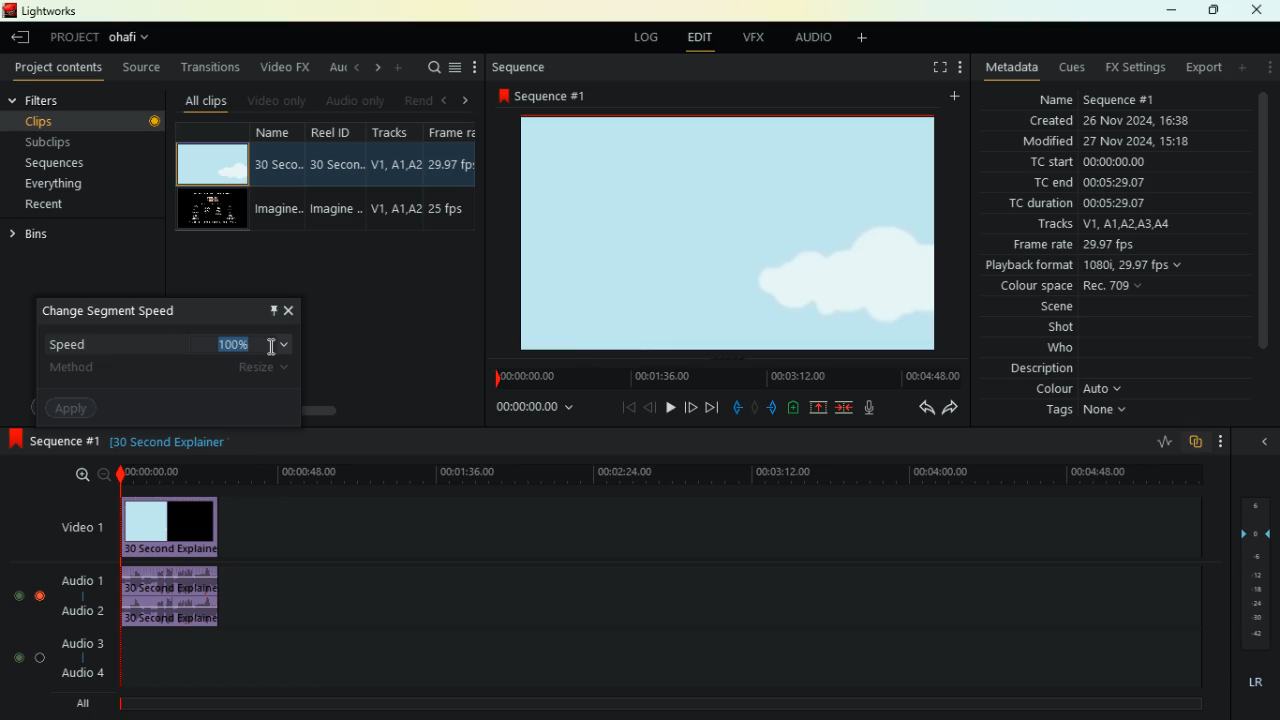  I want to click on name, so click(1092, 99).